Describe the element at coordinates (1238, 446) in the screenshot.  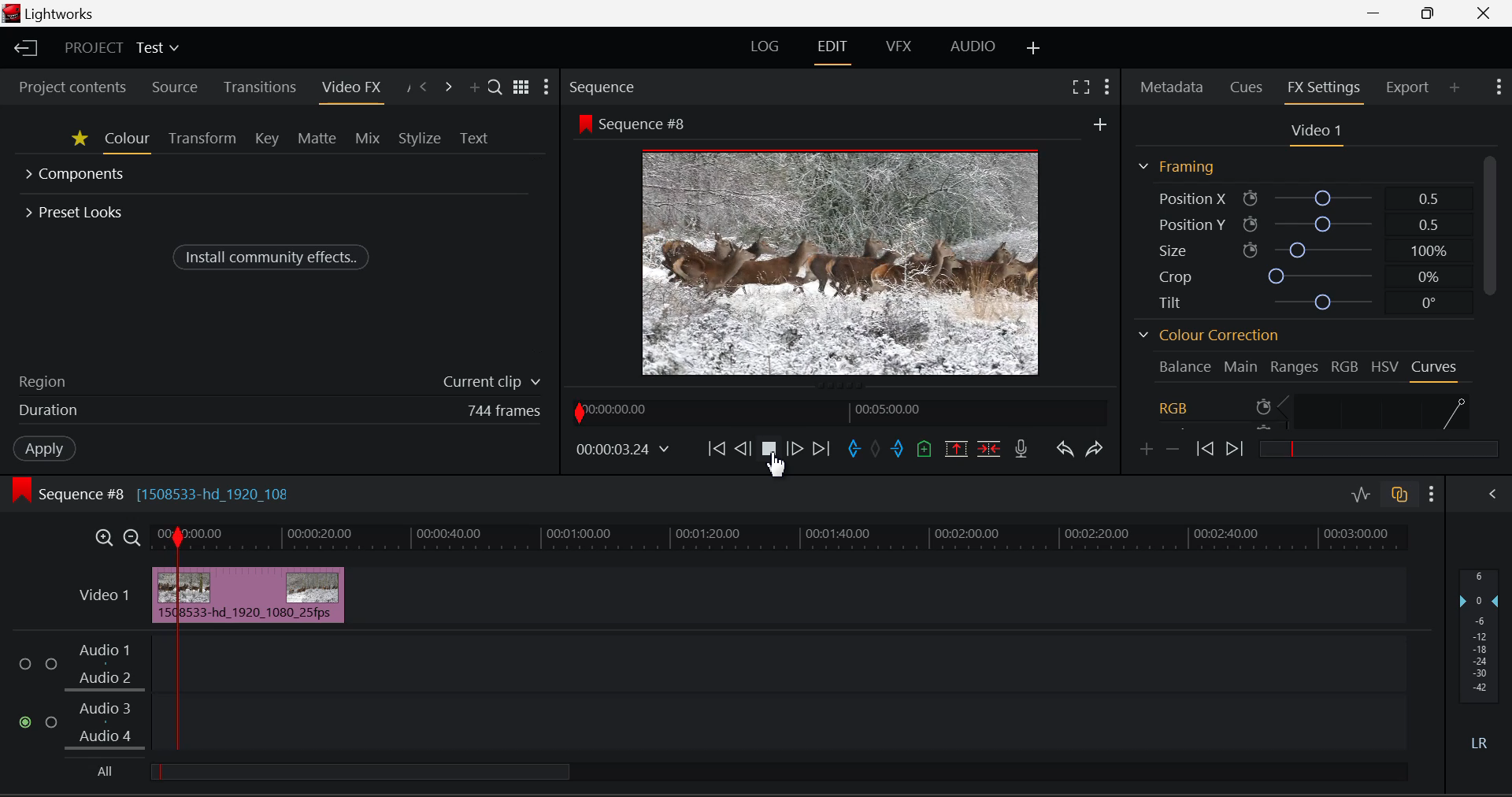
I see `Next keyframe` at that location.